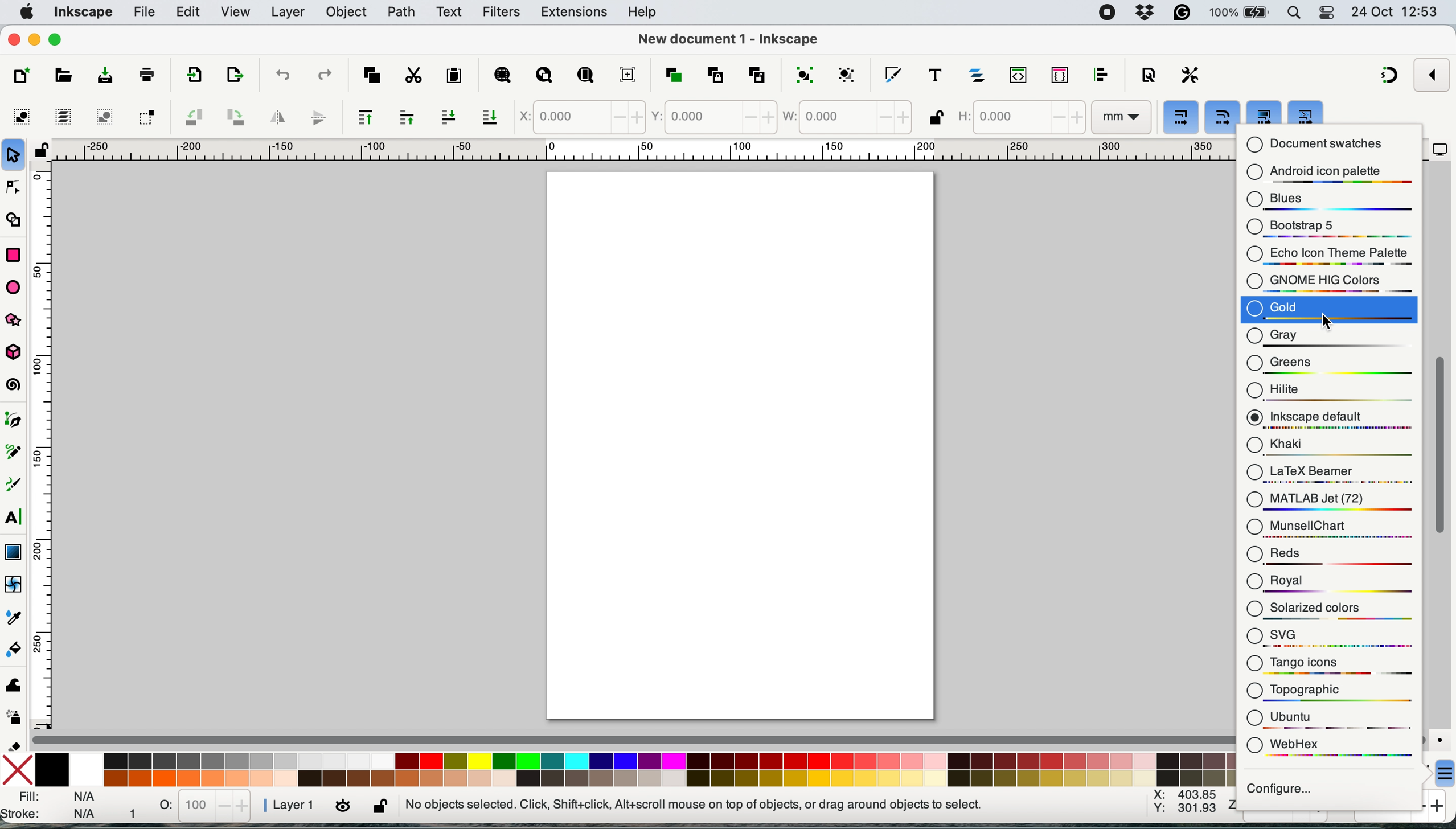 This screenshot has width=1456, height=829. What do you see at coordinates (452, 77) in the screenshot?
I see `paste` at bounding box center [452, 77].